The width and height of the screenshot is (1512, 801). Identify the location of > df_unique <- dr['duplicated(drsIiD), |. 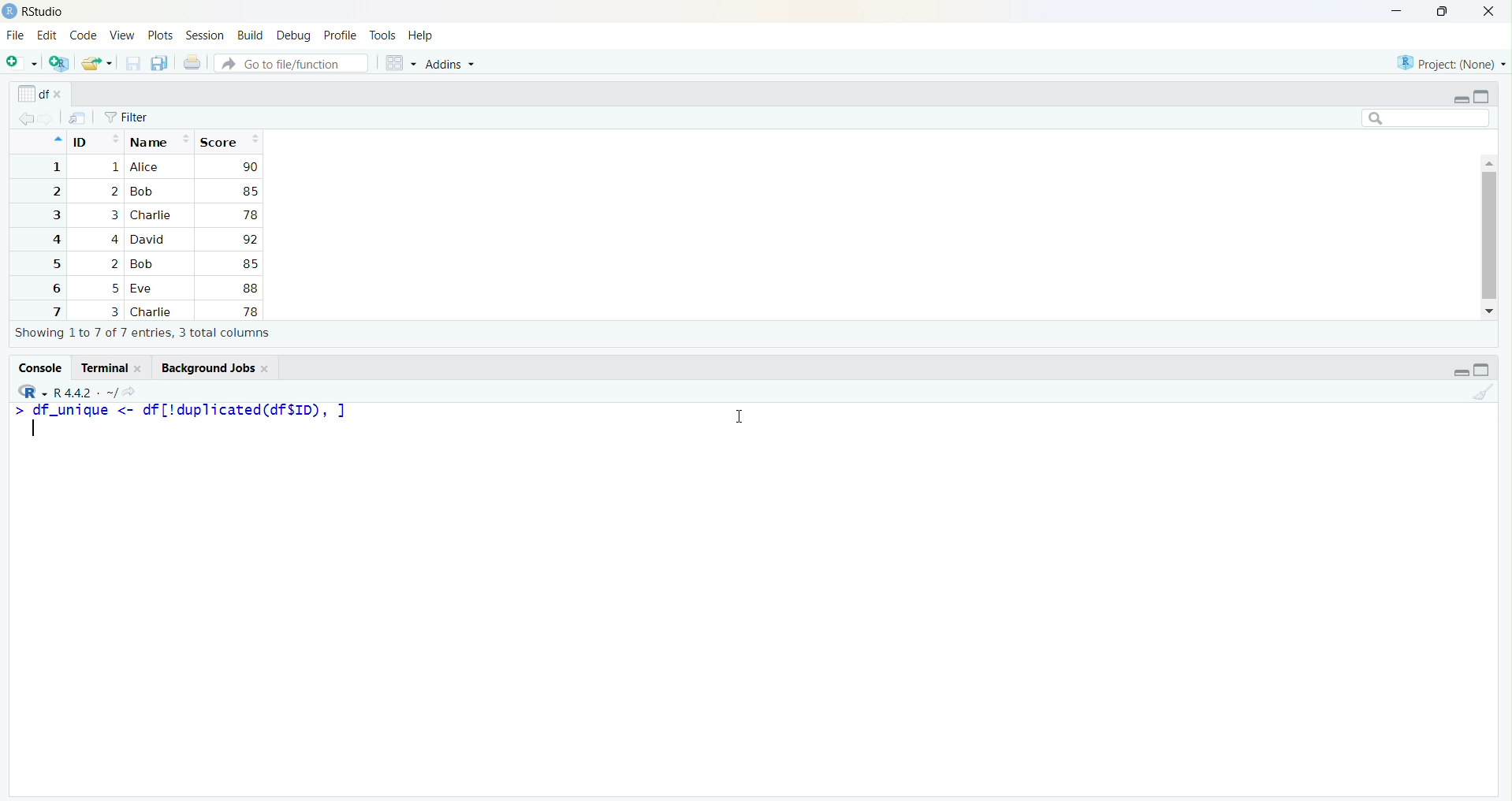
(192, 410).